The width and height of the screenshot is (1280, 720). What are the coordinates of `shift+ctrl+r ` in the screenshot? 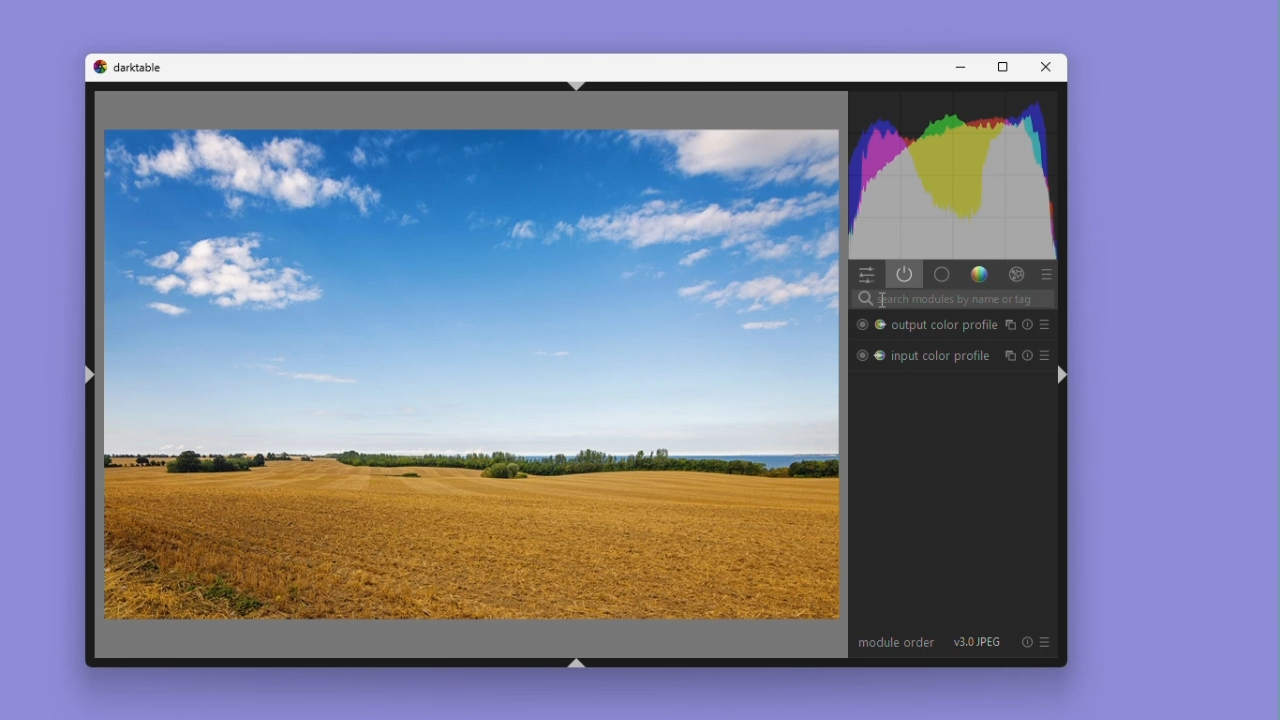 It's located at (1064, 374).